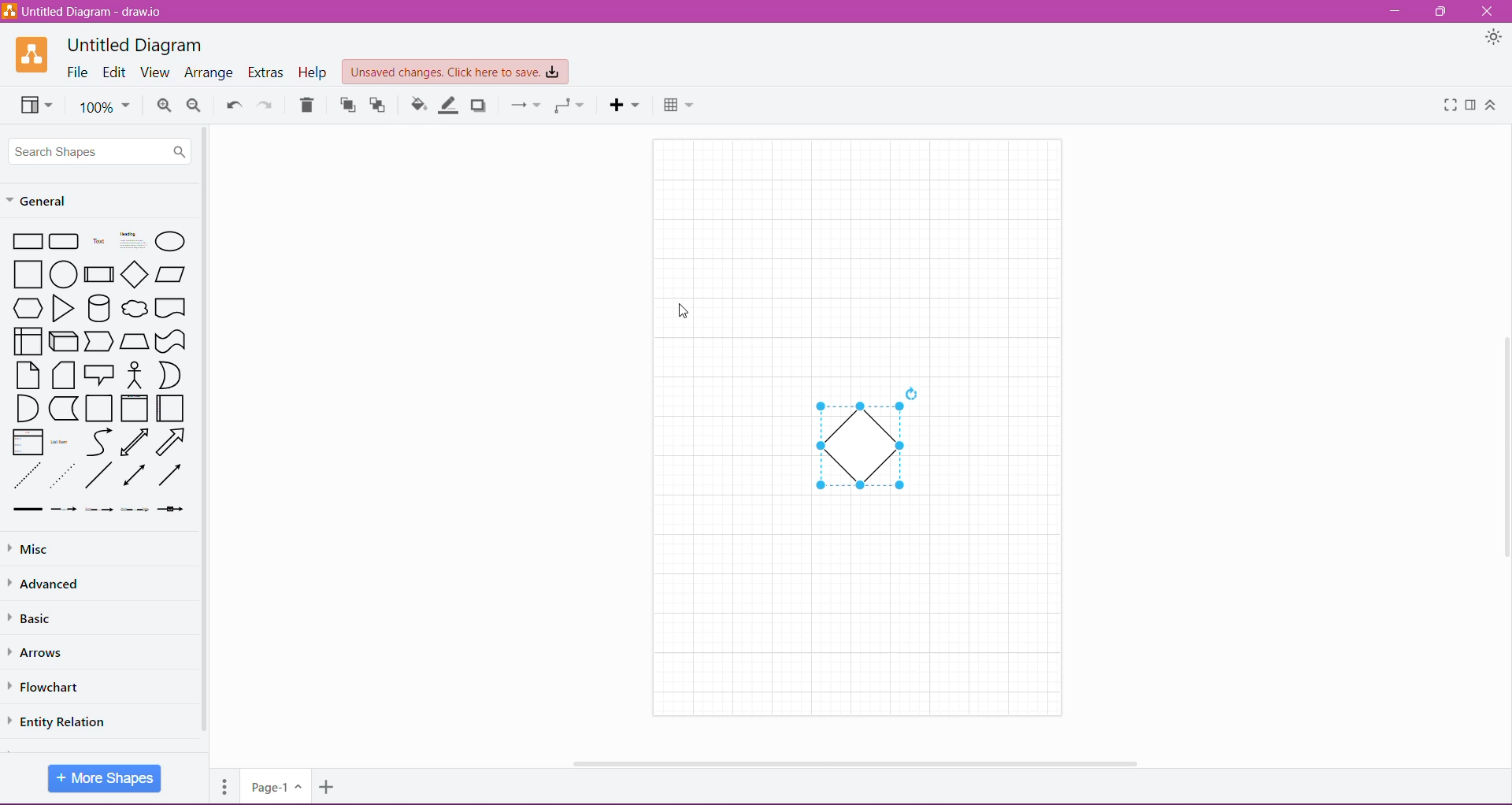 Image resolution: width=1512 pixels, height=805 pixels. What do you see at coordinates (480, 106) in the screenshot?
I see `Shadow` at bounding box center [480, 106].